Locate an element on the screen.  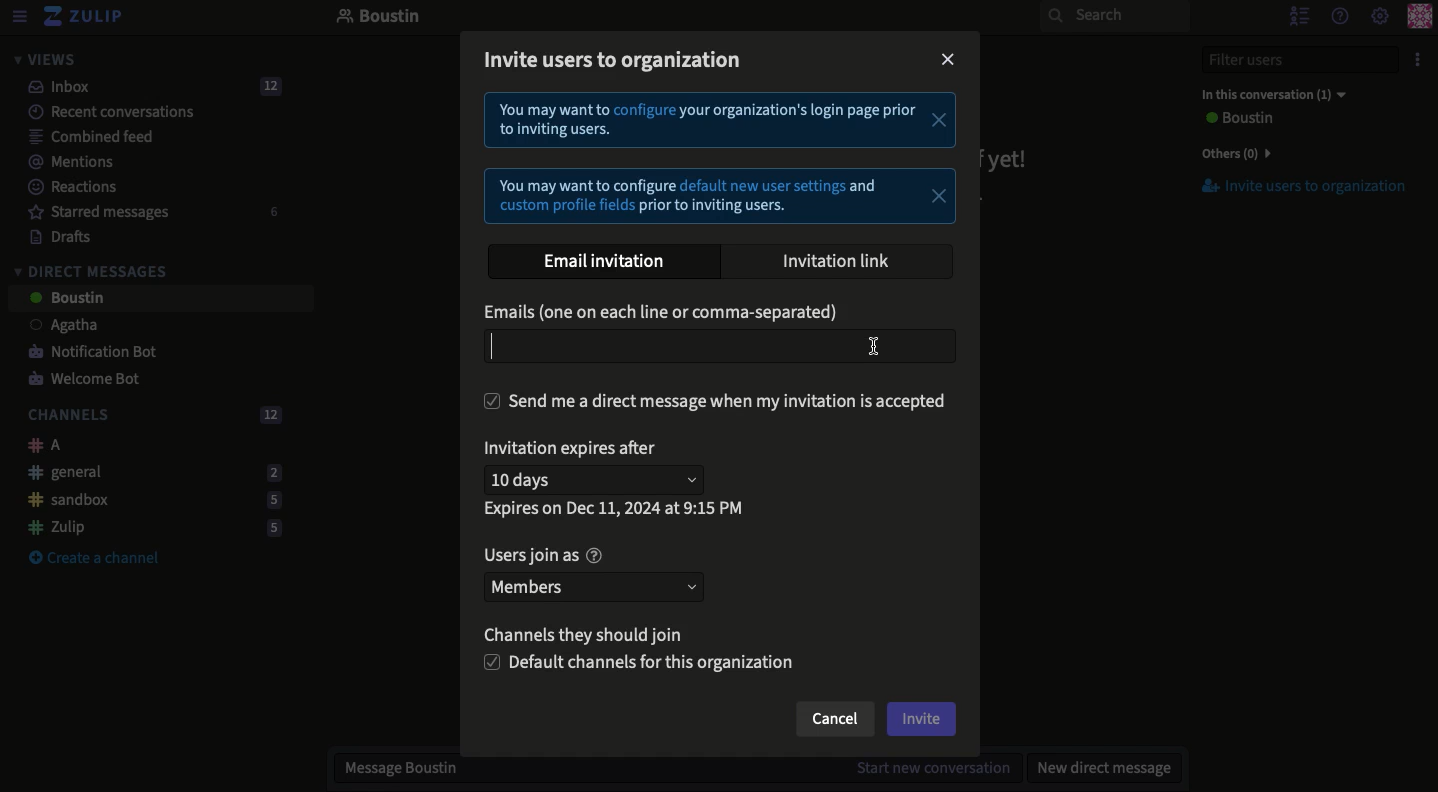
Invitation expires after is located at coordinates (575, 451).